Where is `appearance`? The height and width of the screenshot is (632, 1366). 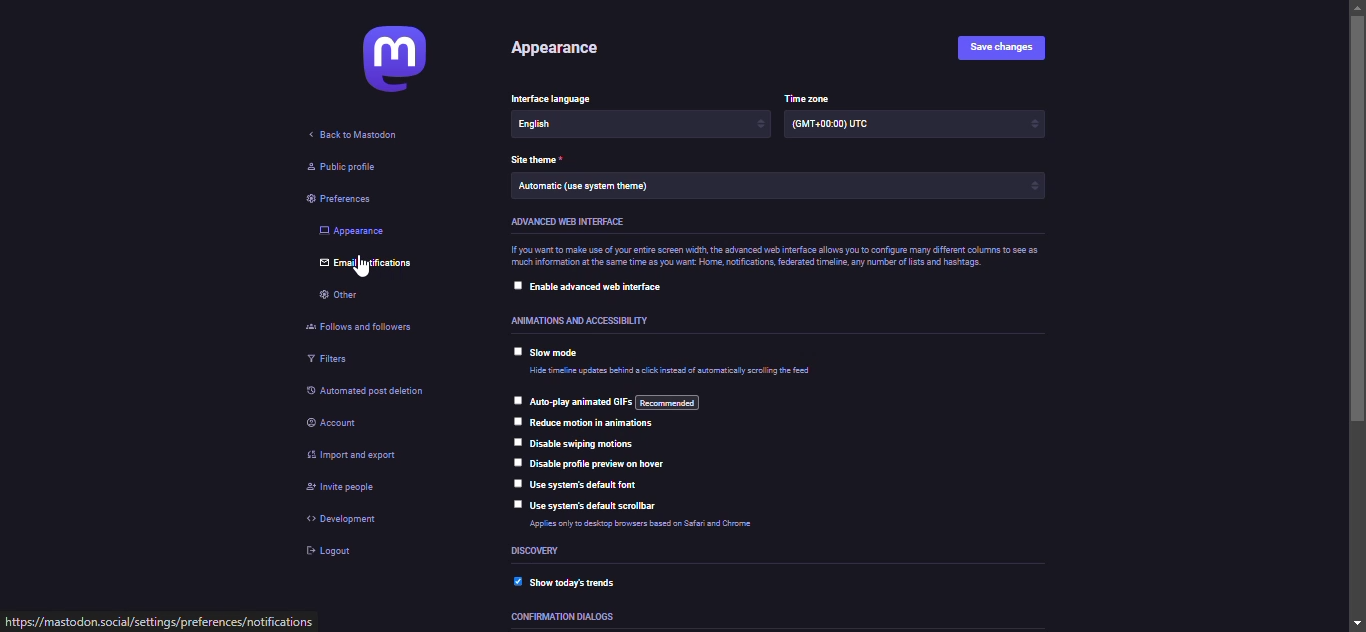
appearance is located at coordinates (353, 231).